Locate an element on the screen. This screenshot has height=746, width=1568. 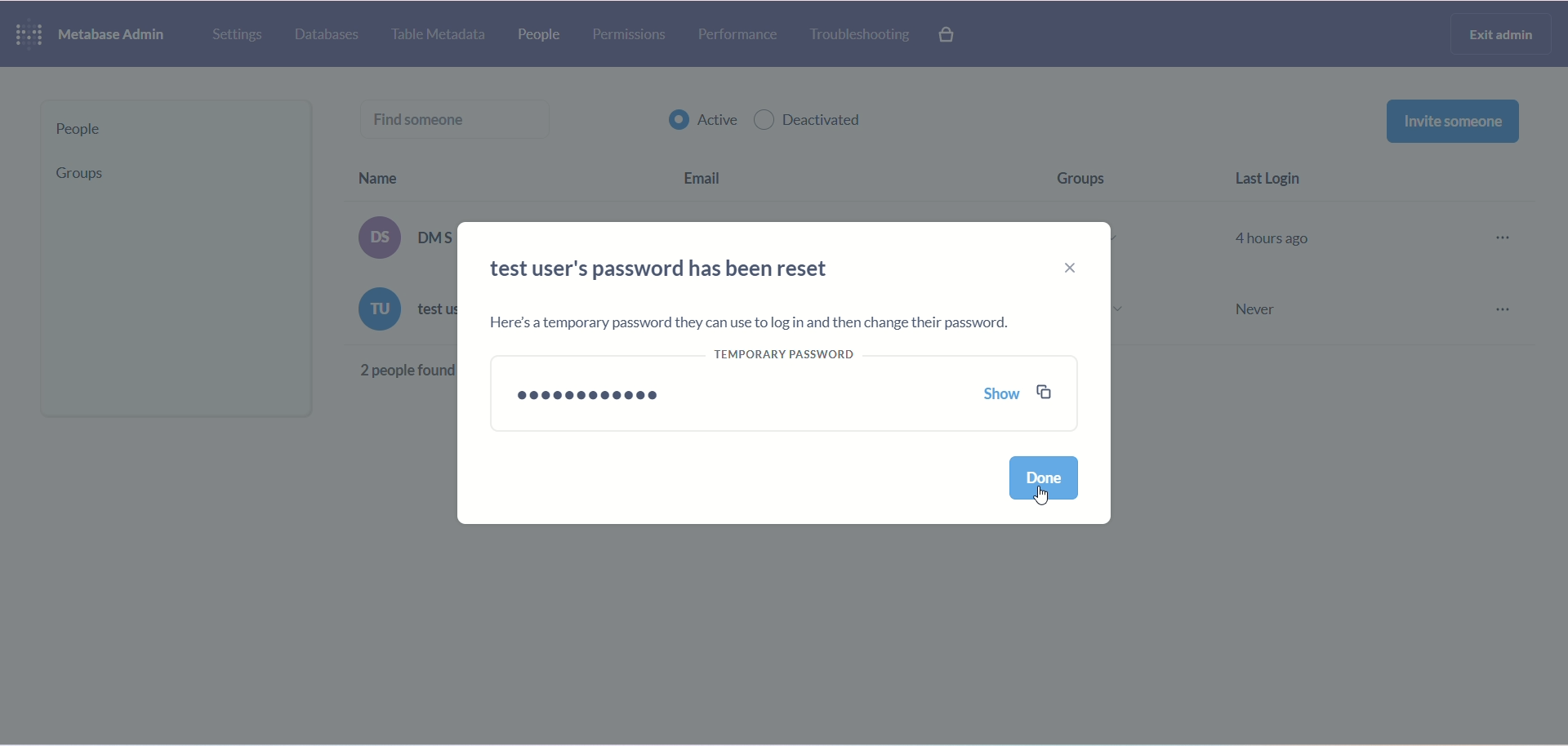
people is located at coordinates (546, 34).